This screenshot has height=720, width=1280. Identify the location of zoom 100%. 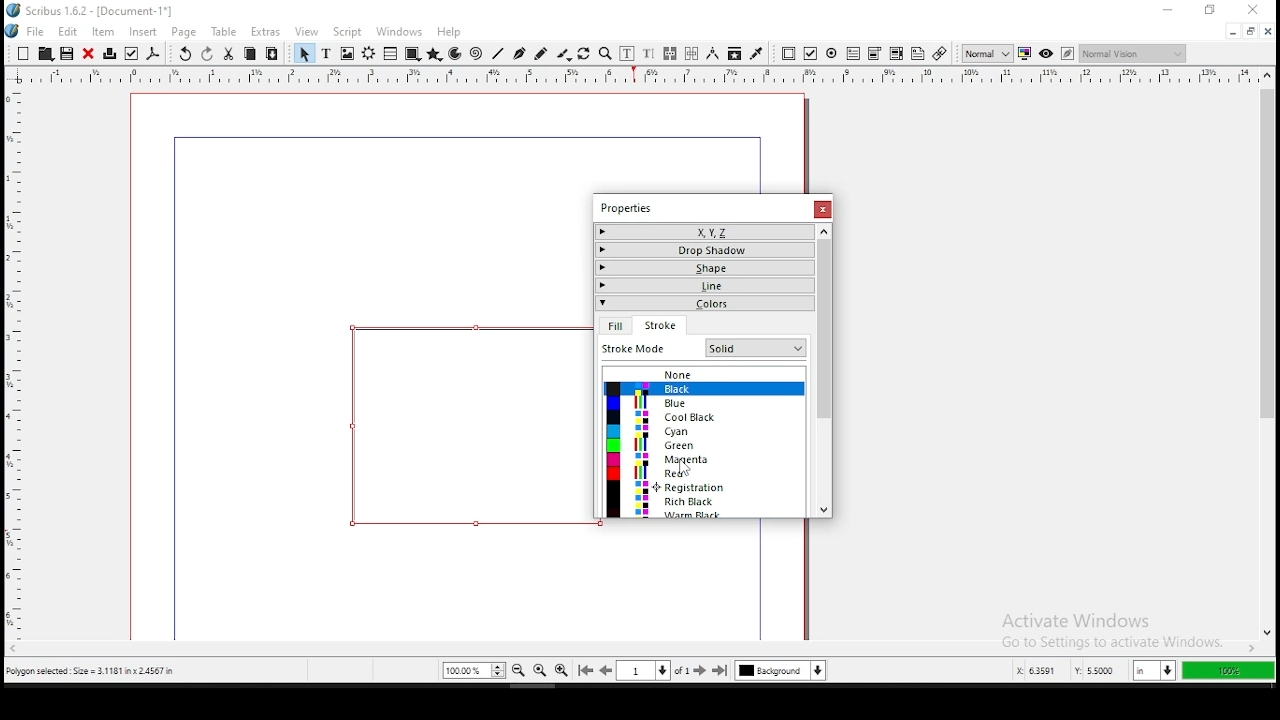
(540, 670).